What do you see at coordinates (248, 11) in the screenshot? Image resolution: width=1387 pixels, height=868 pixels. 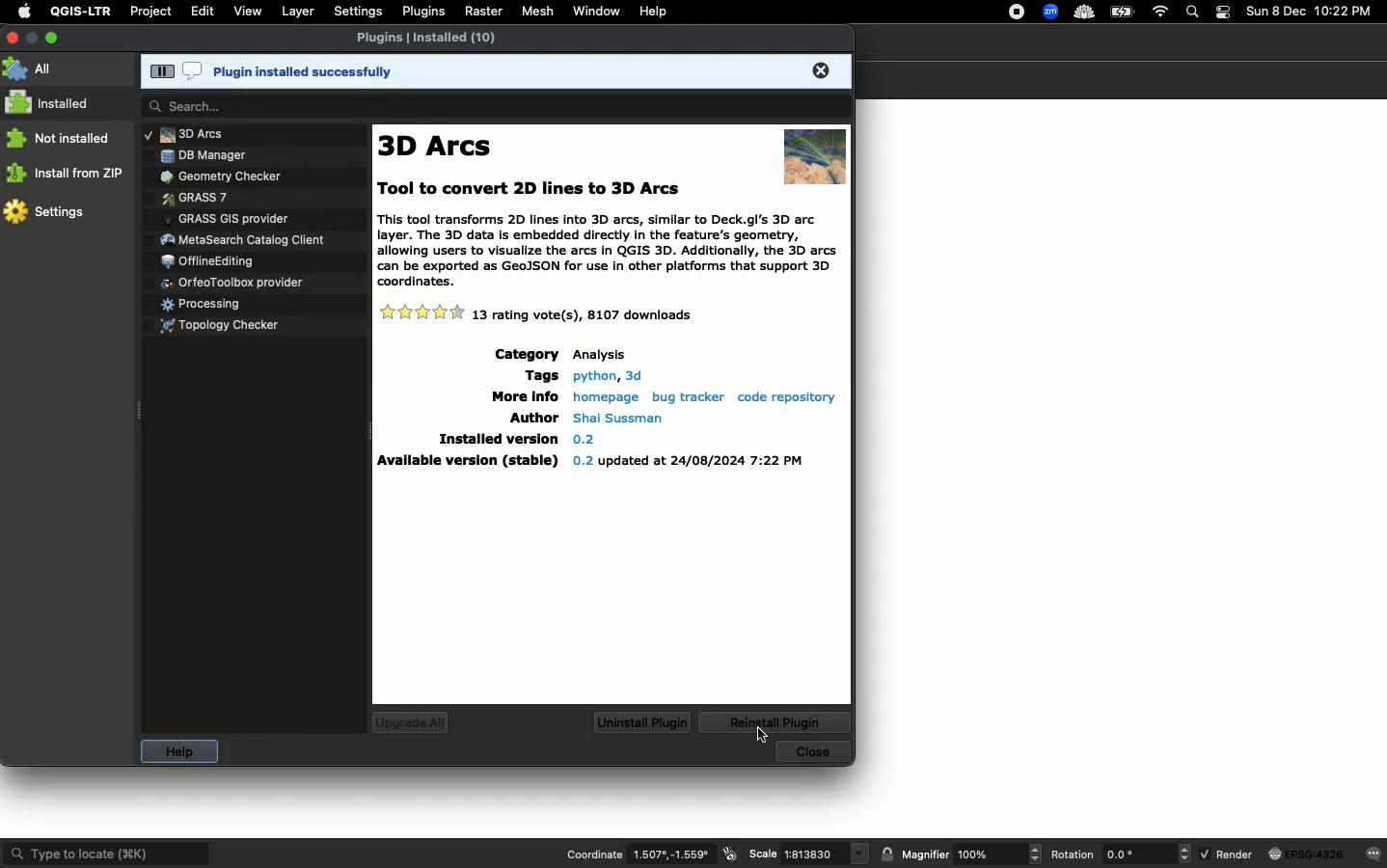 I see `View` at bounding box center [248, 11].